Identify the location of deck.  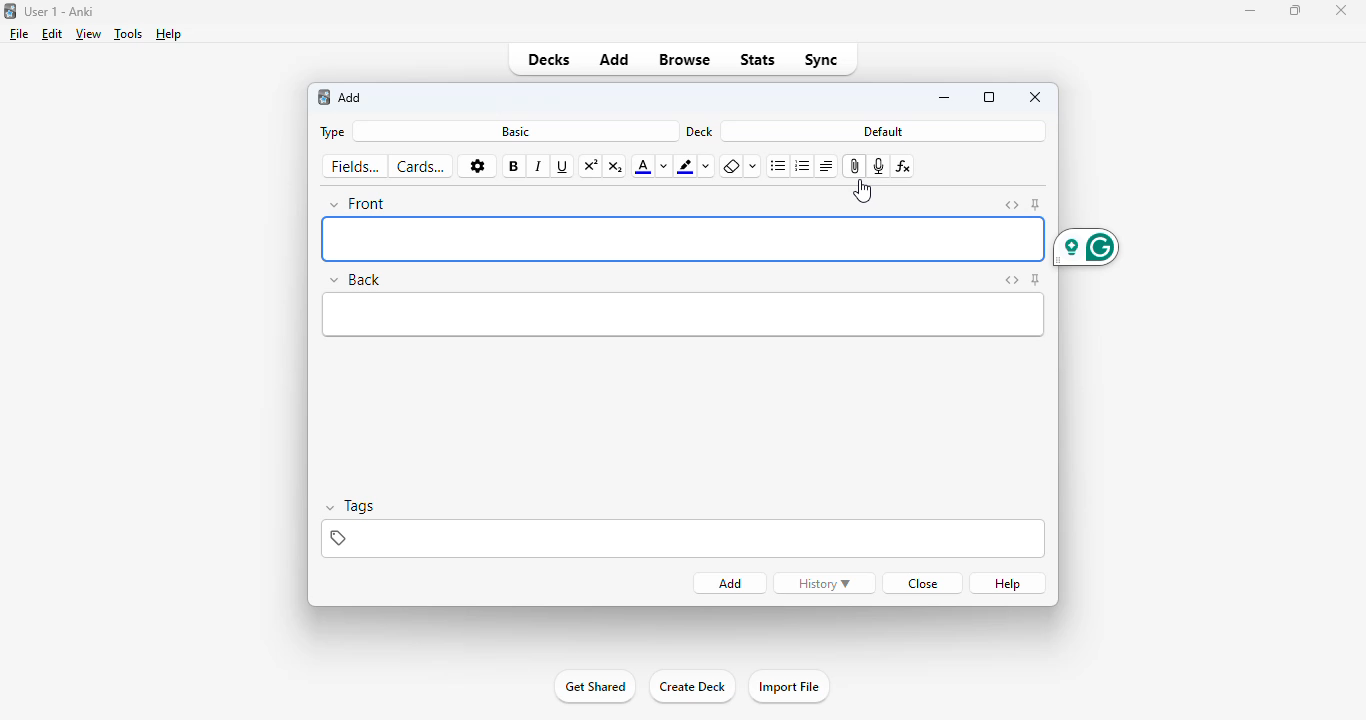
(700, 131).